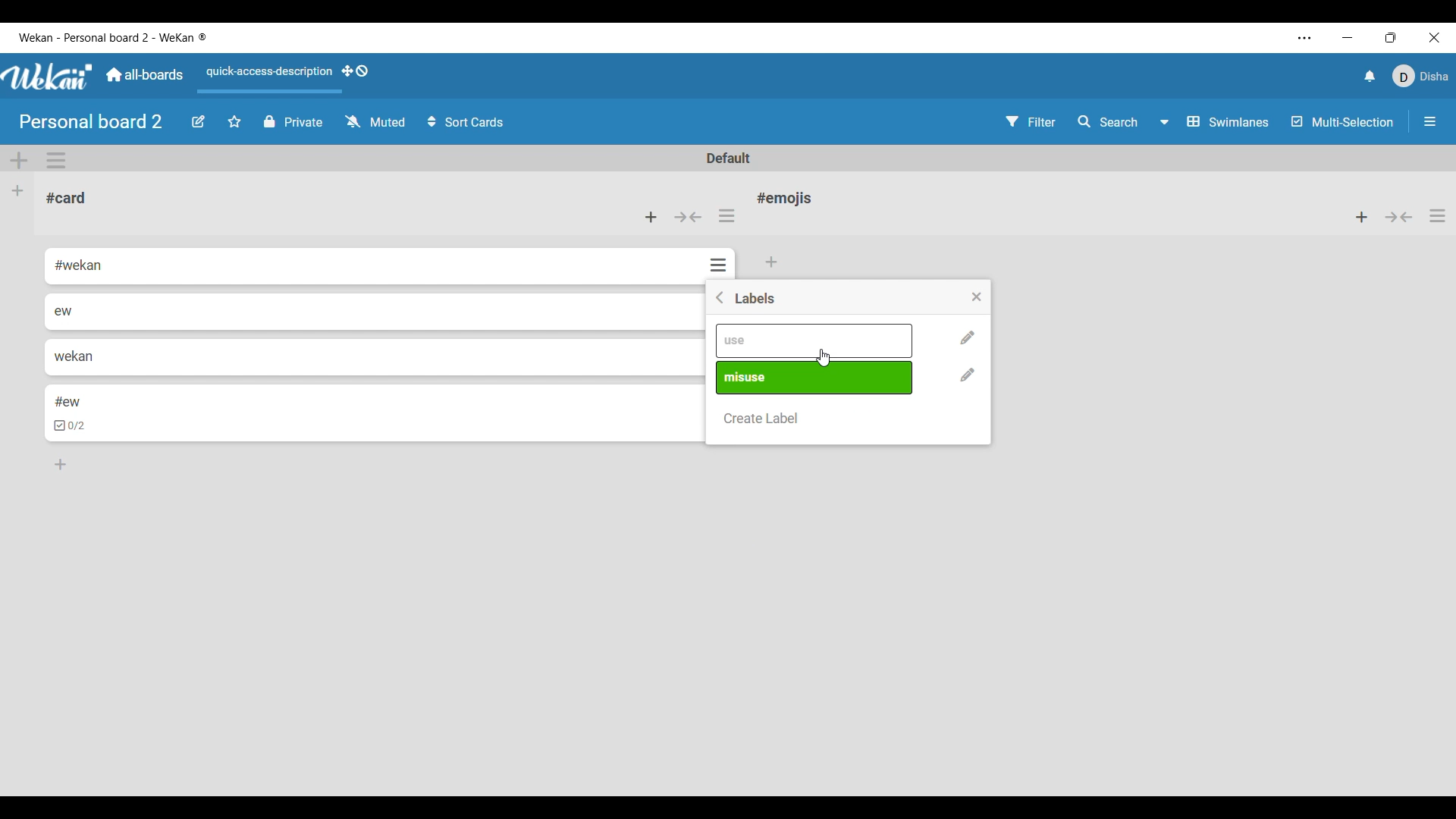 The height and width of the screenshot is (819, 1456). Describe the element at coordinates (80, 266) in the screenshot. I see `#wekan` at that location.